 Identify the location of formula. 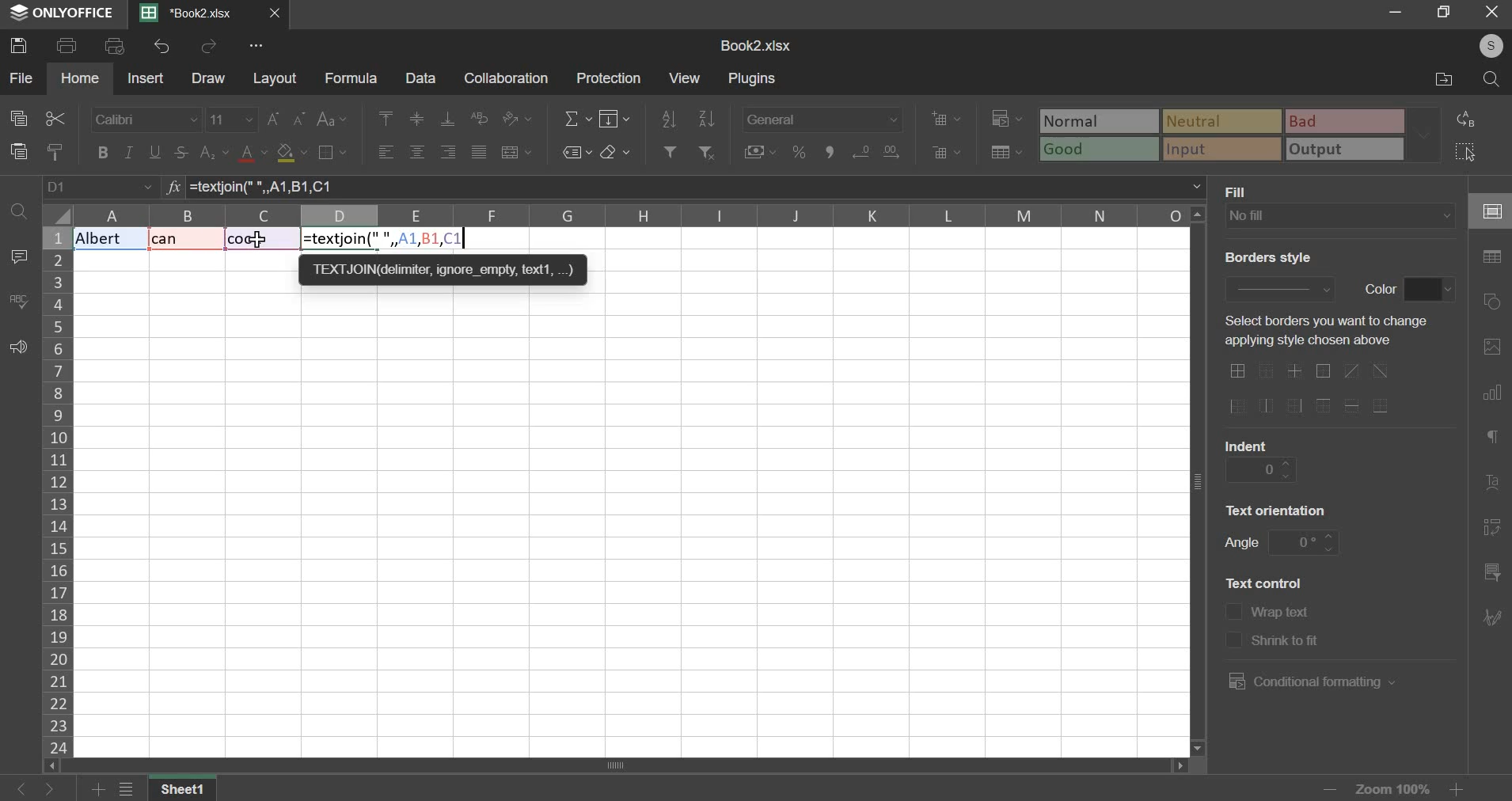
(171, 188).